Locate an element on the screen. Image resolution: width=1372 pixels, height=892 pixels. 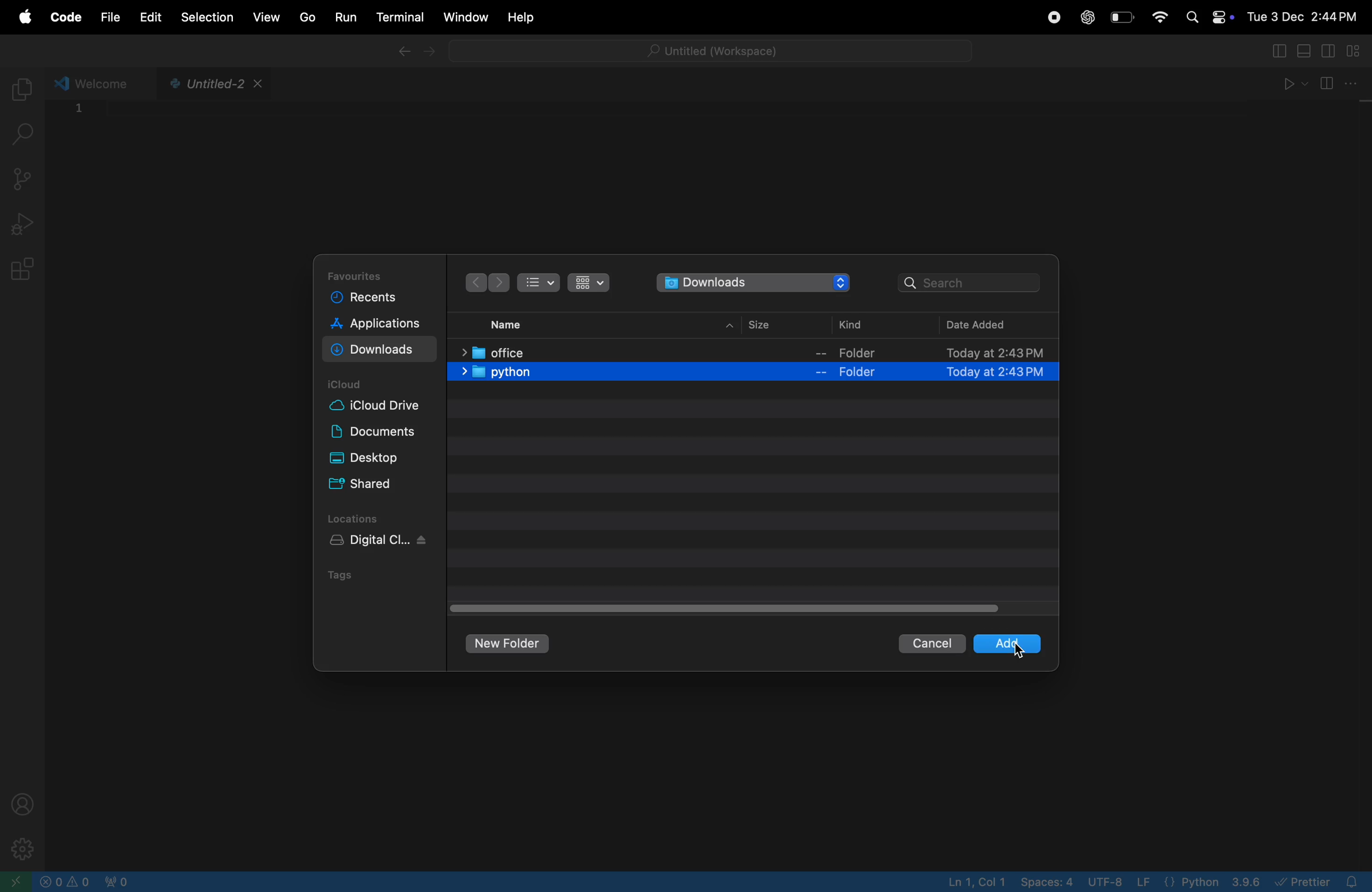
cancel is located at coordinates (932, 642).